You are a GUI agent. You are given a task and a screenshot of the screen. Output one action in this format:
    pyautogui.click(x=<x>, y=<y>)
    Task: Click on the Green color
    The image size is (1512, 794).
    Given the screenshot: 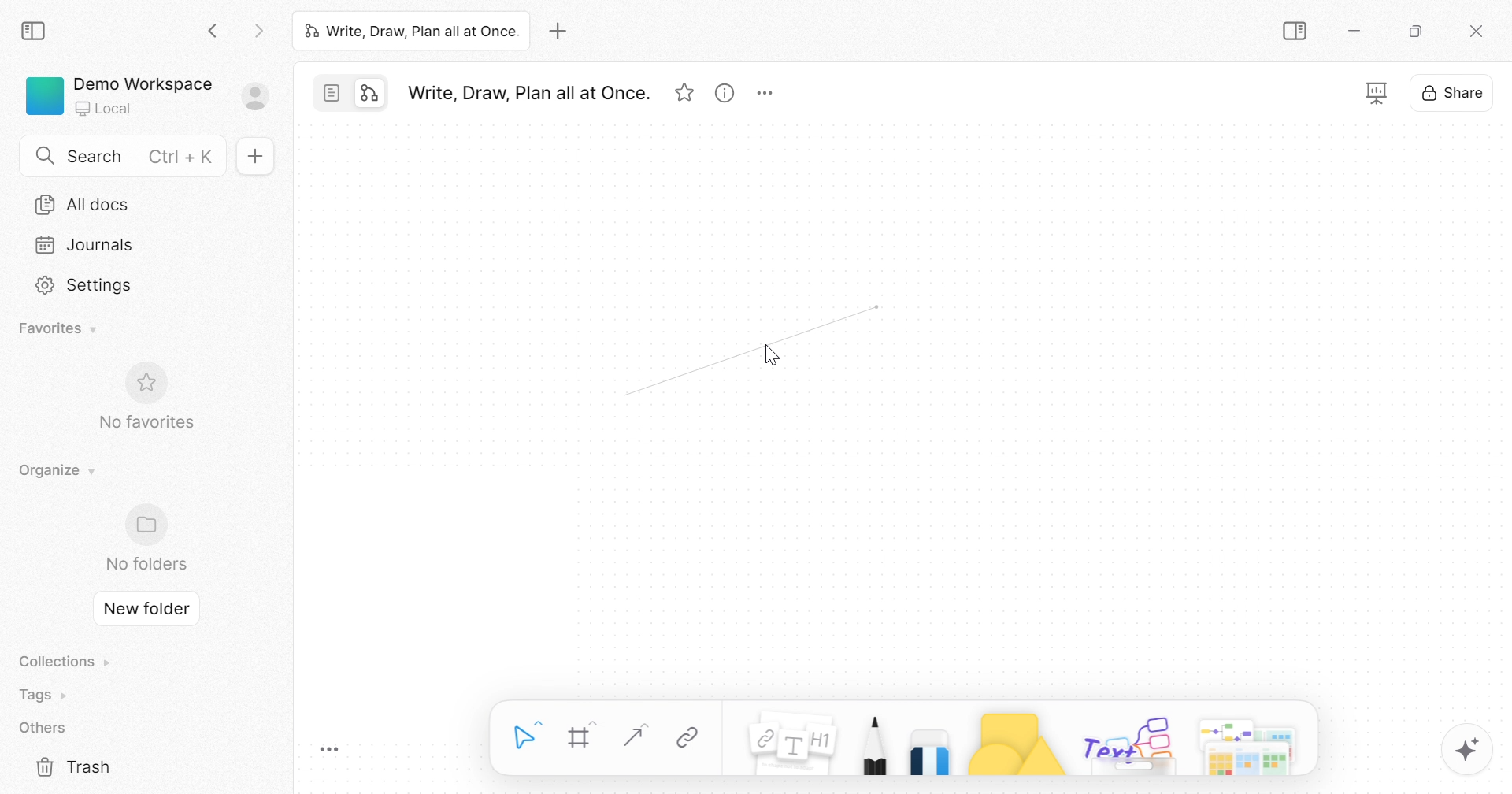 What is the action you would take?
    pyautogui.click(x=45, y=95)
    